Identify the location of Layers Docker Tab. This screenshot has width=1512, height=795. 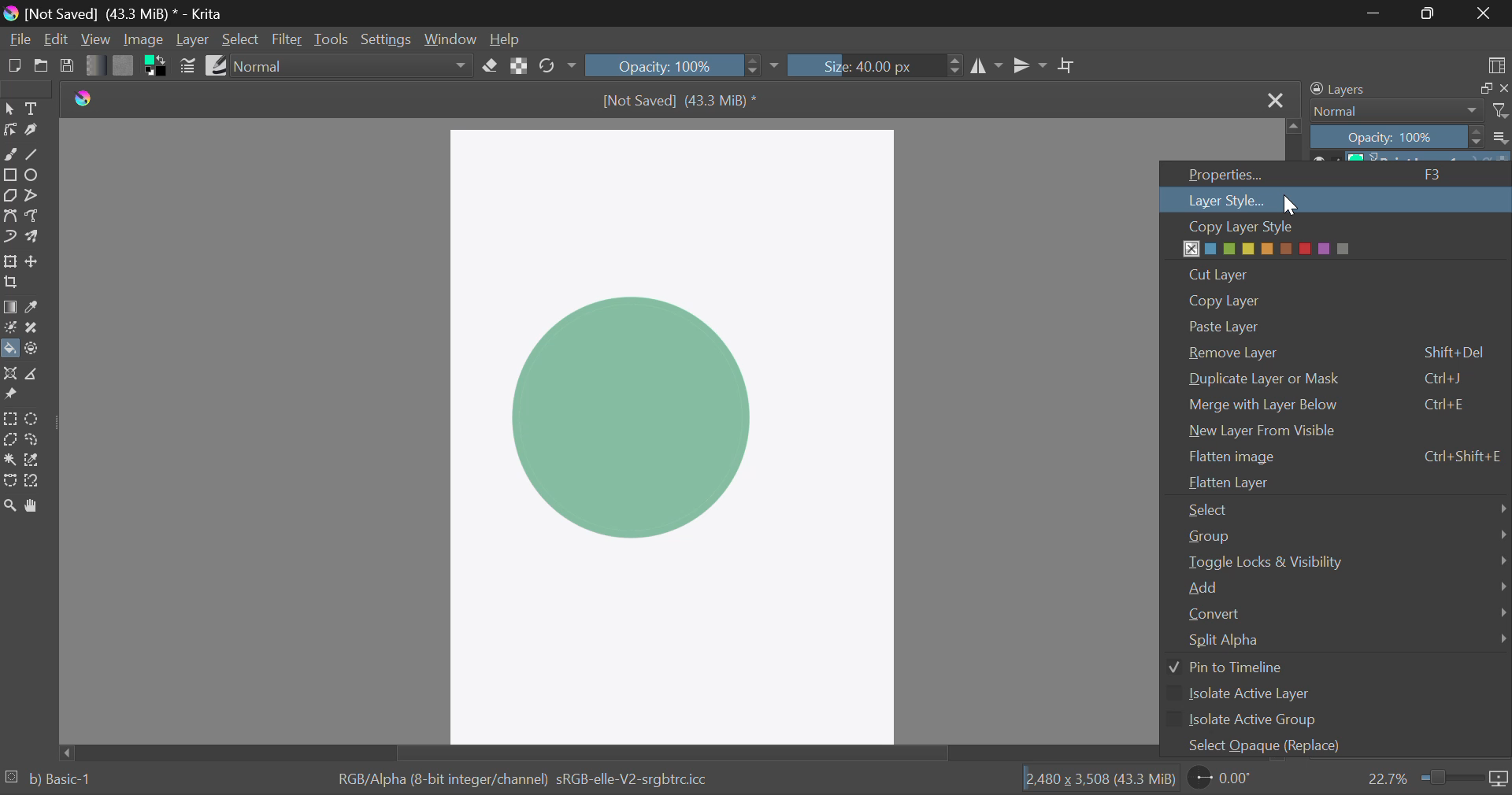
(1405, 91).